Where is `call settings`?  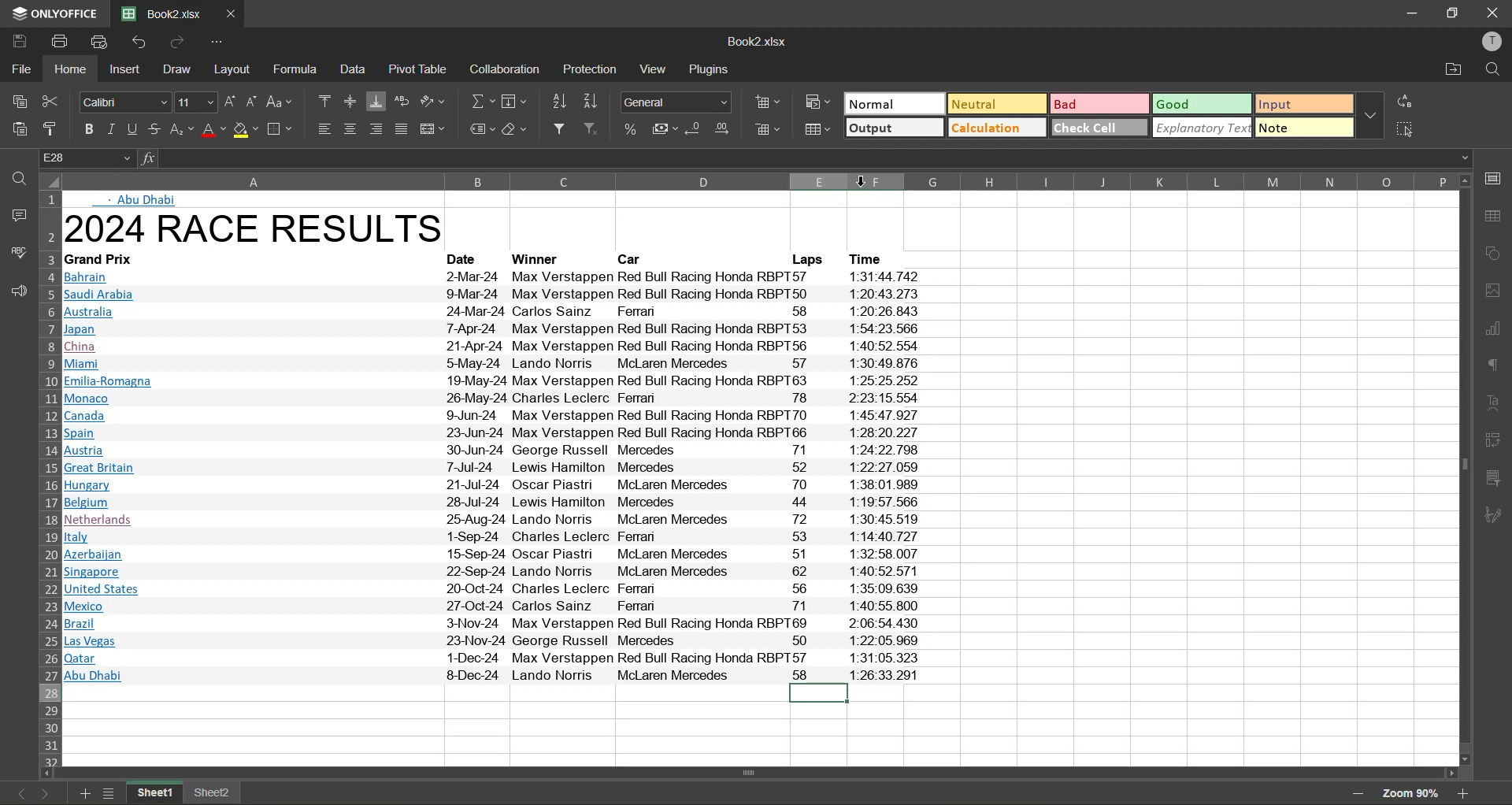
call settings is located at coordinates (1498, 177).